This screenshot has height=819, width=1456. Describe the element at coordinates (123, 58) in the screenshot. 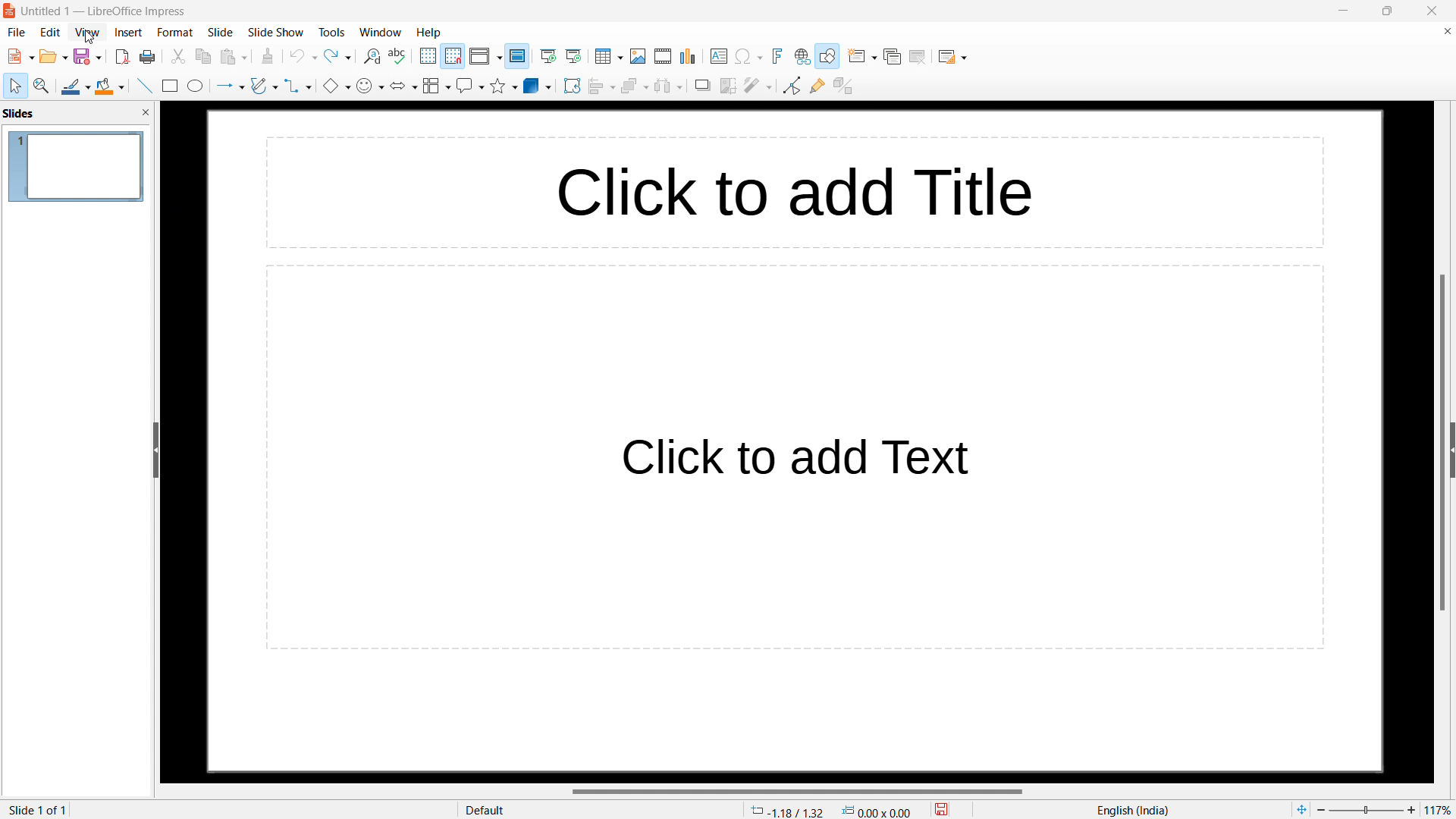

I see `export directly as pdf` at that location.